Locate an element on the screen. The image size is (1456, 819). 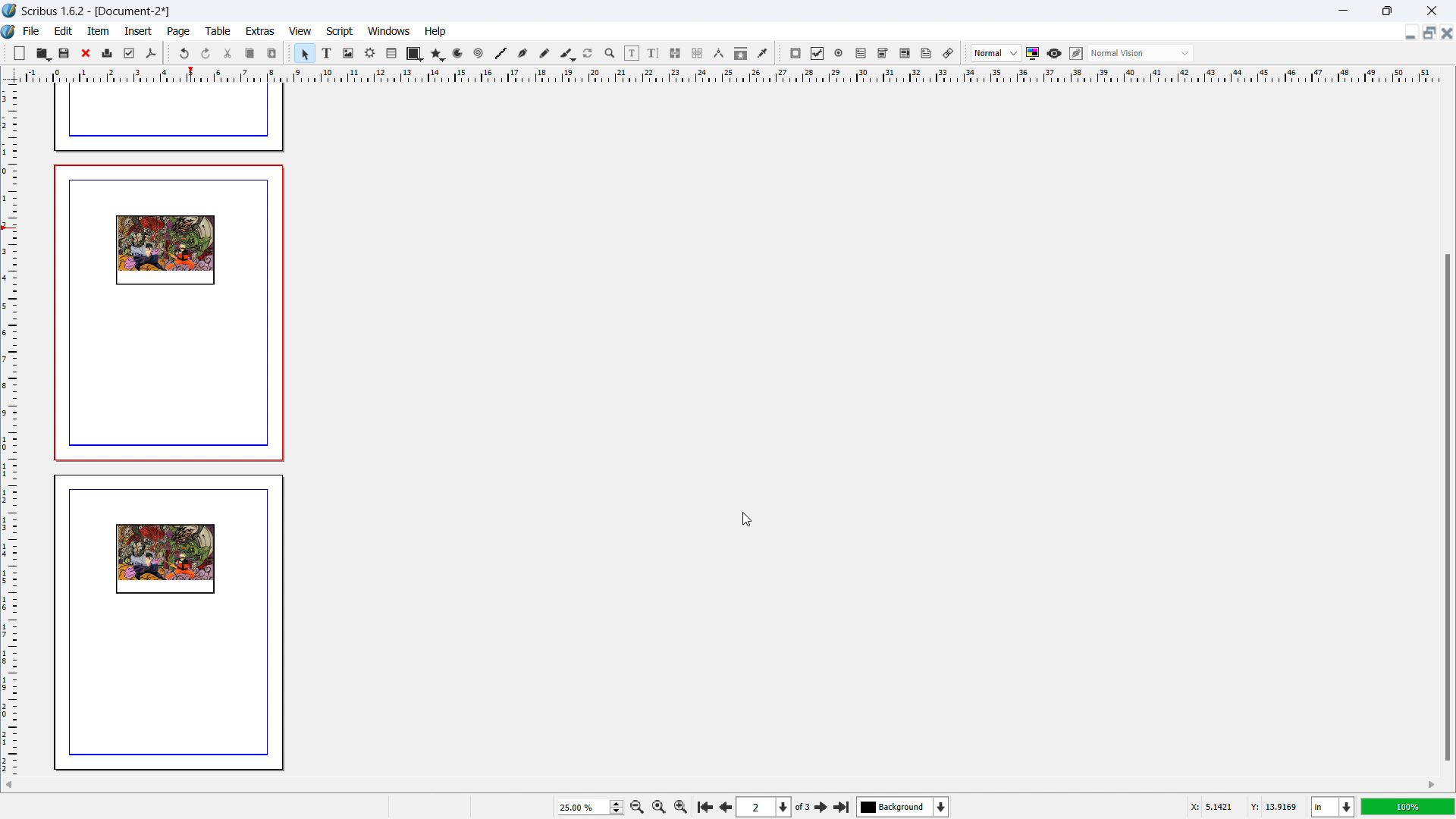
cursor is located at coordinates (745, 517).